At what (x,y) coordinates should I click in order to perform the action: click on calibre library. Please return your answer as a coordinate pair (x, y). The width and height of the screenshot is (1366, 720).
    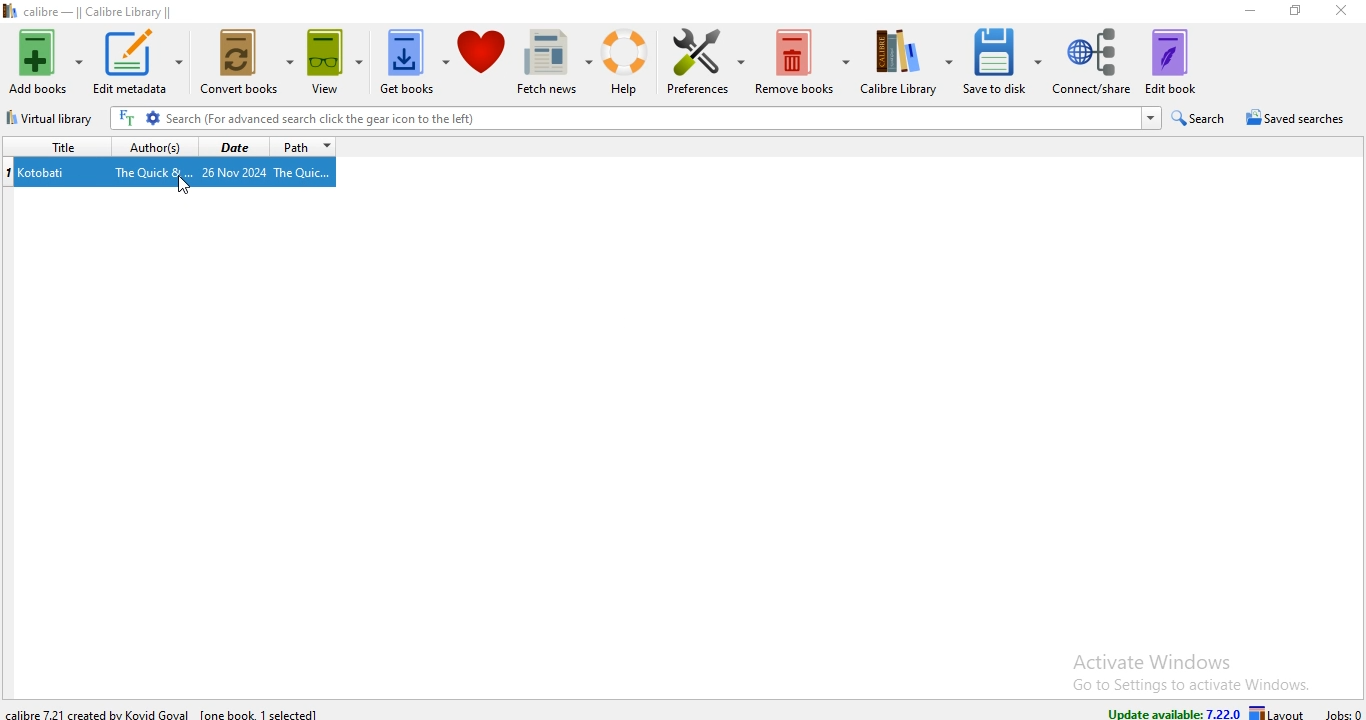
    Looking at the image, I should click on (907, 61).